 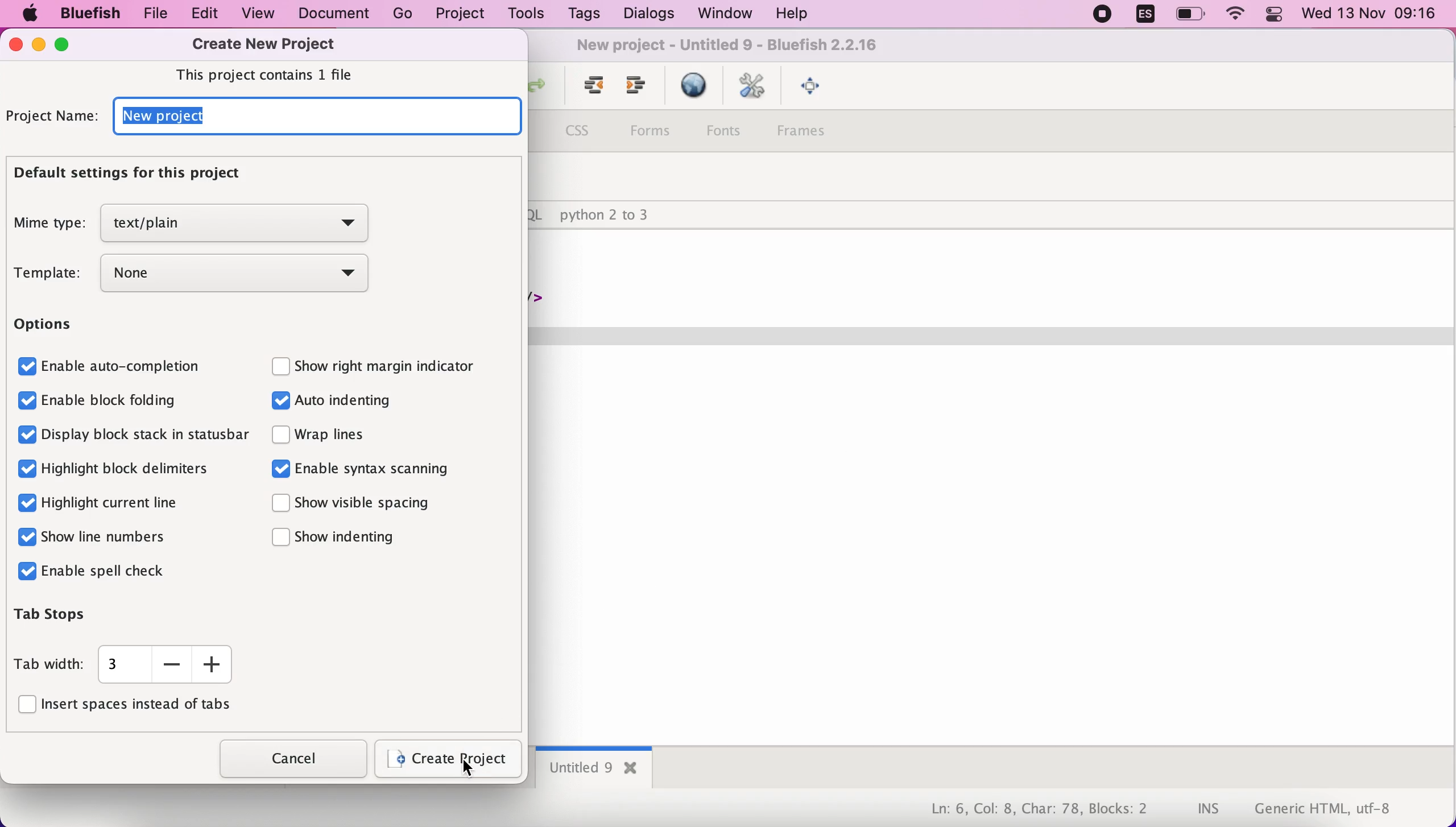 I want to click on forms, so click(x=651, y=131).